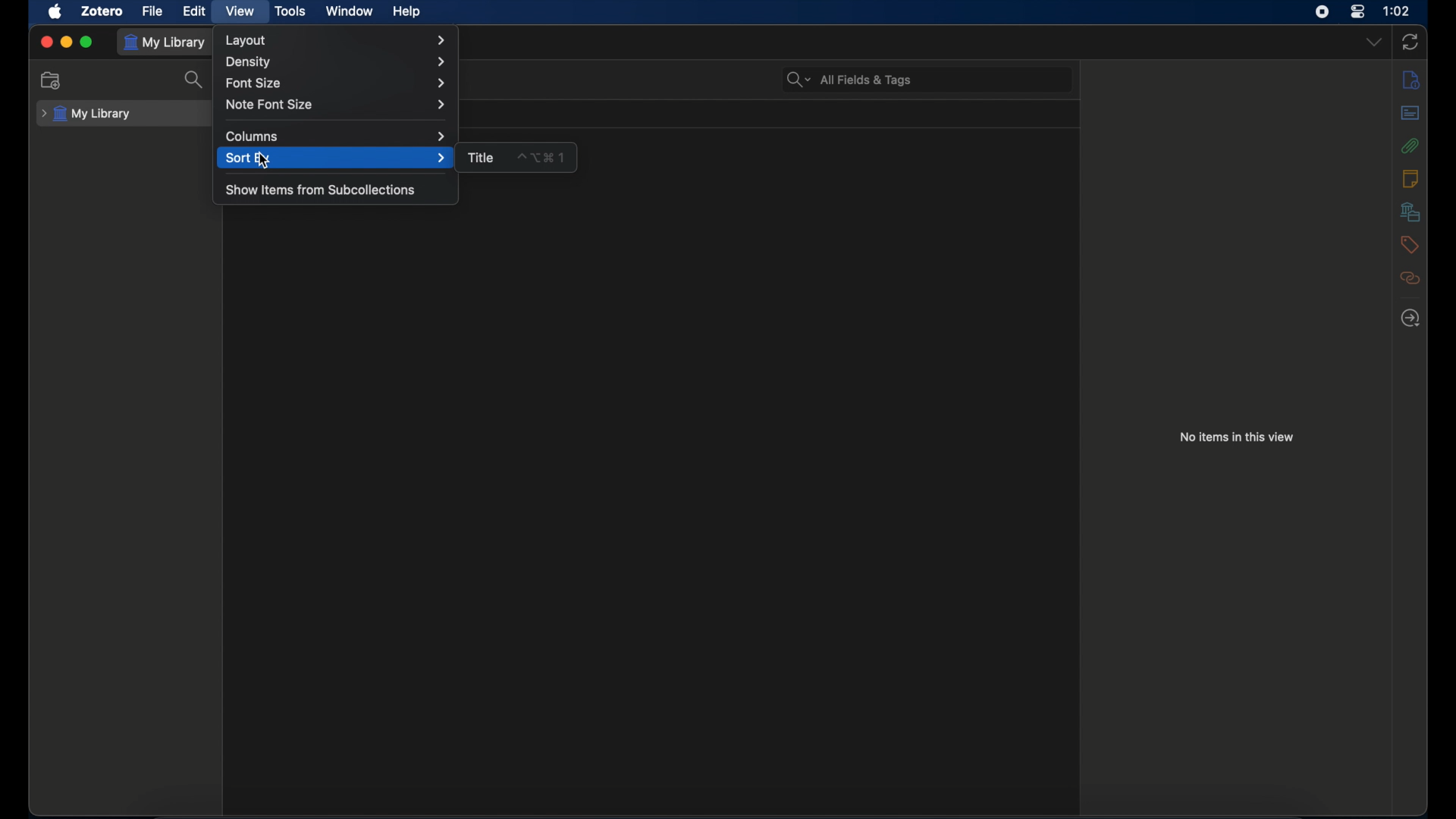 The image size is (1456, 819). I want to click on dropdown, so click(1373, 41).